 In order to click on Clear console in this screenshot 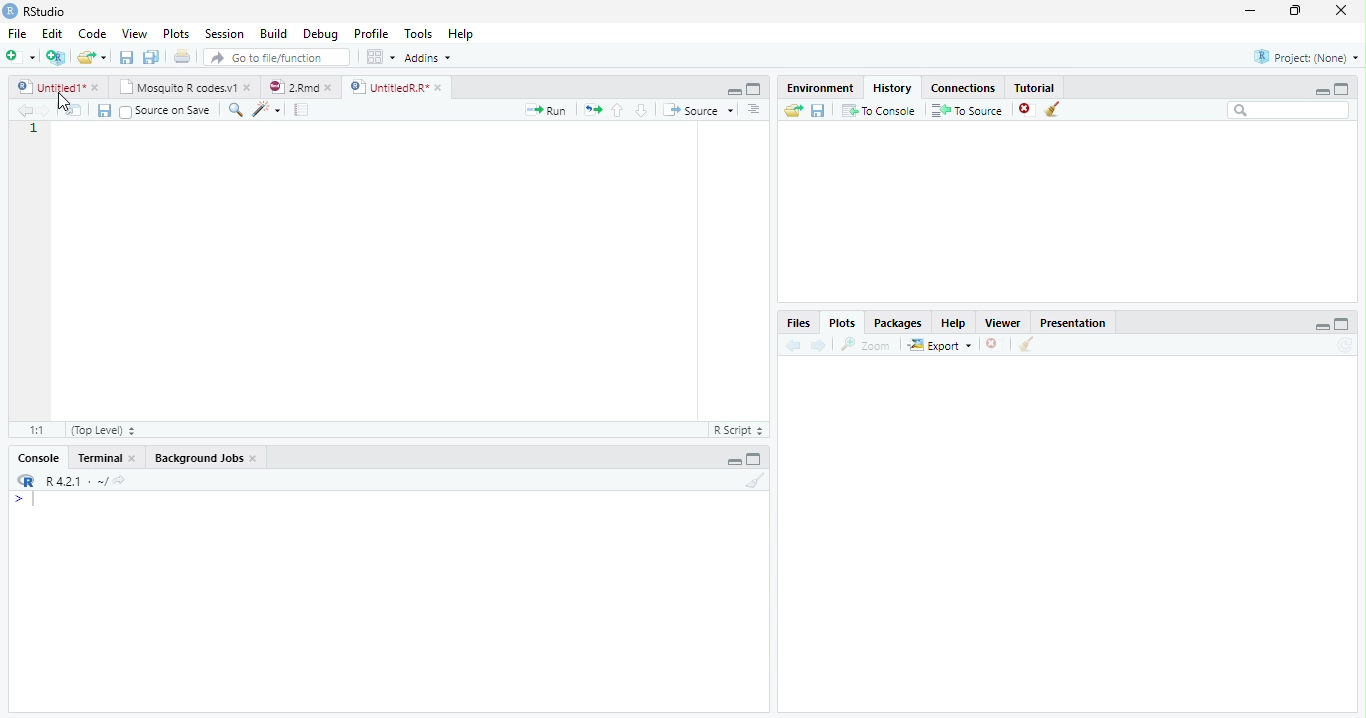, I will do `click(754, 481)`.